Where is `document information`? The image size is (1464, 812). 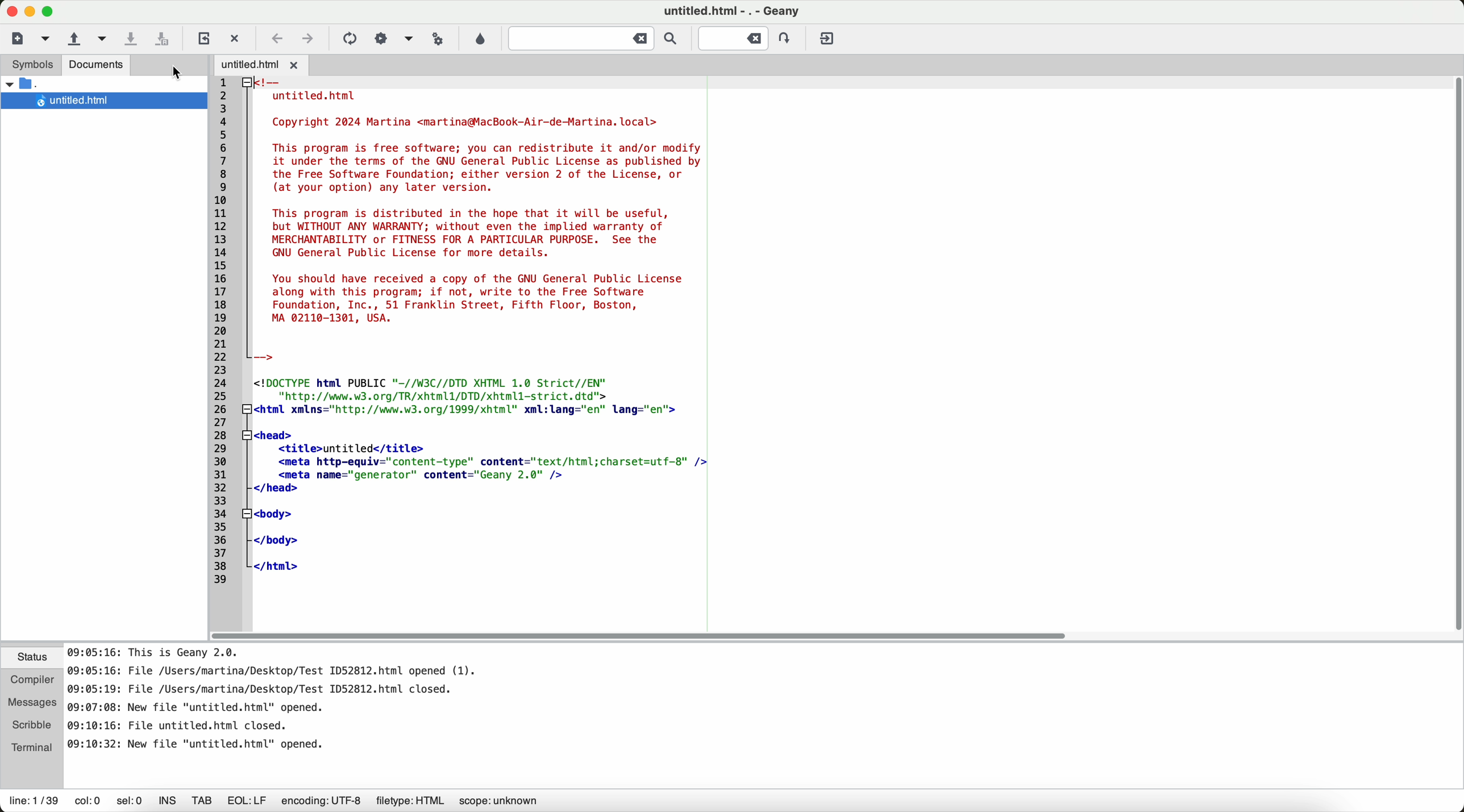 document information is located at coordinates (762, 715).